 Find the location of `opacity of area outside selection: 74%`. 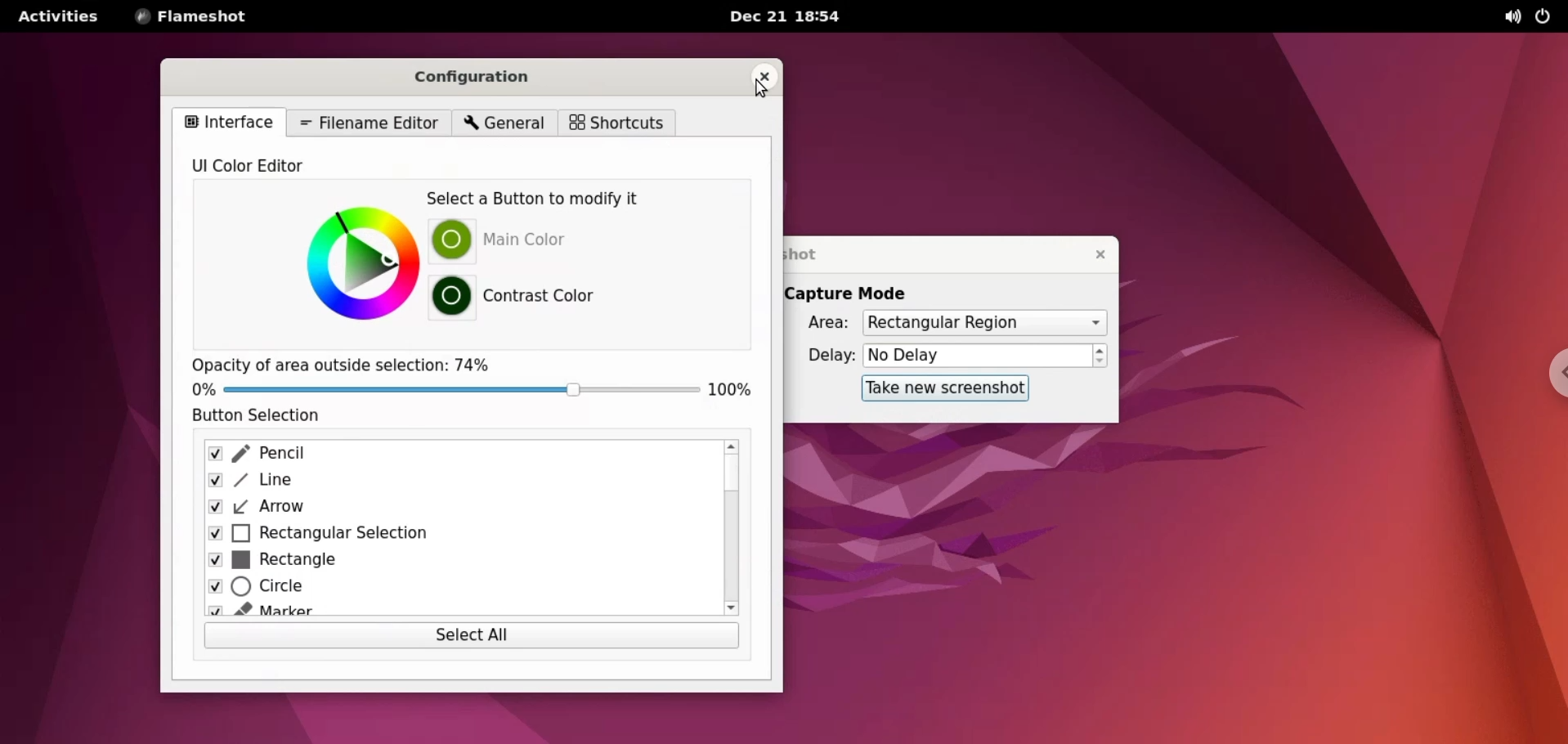

opacity of area outside selection: 74% is located at coordinates (365, 362).